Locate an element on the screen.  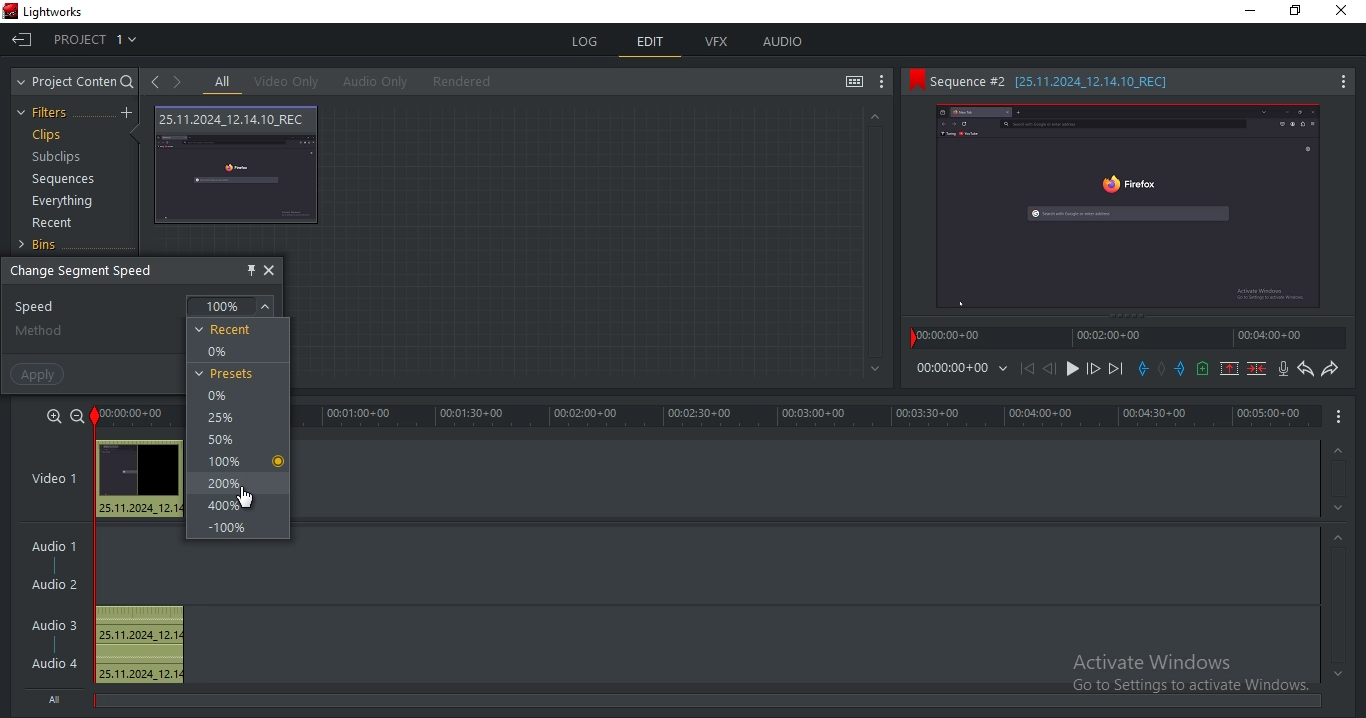
pin this object here is located at coordinates (247, 269).